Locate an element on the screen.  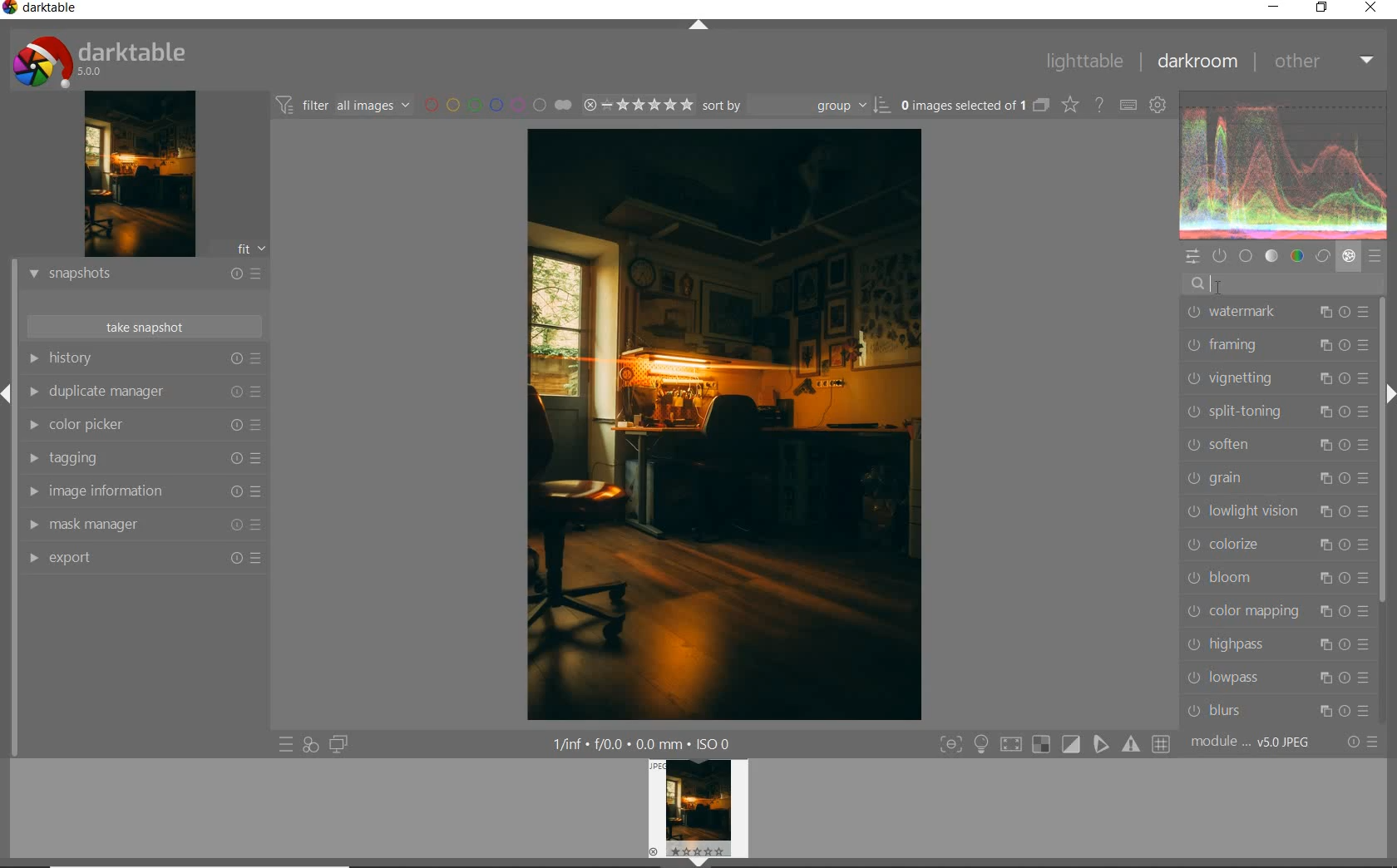
color mapping is located at coordinates (1275, 614).